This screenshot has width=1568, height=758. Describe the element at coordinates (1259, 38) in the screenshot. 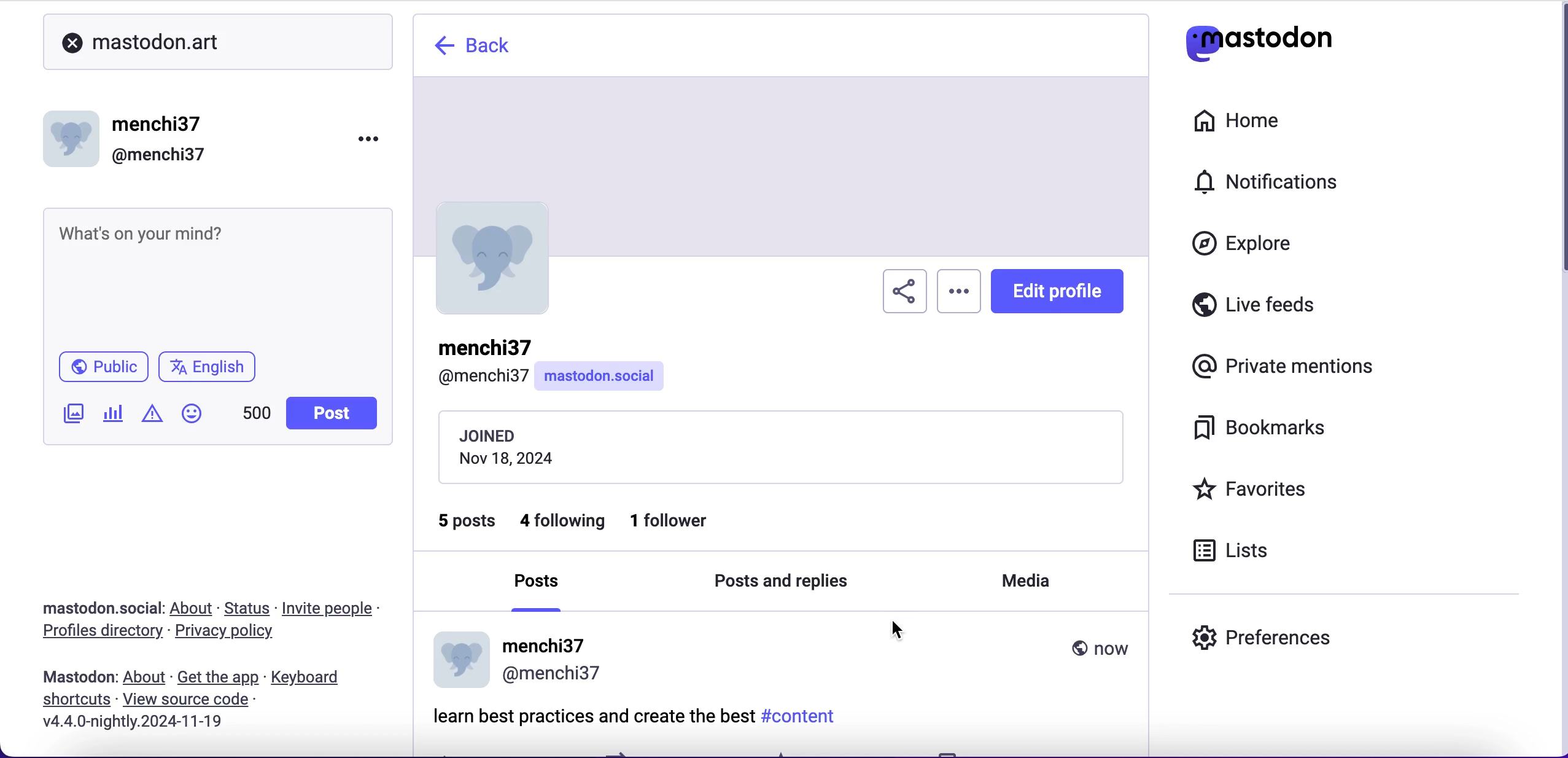

I see `mastodon logo` at that location.